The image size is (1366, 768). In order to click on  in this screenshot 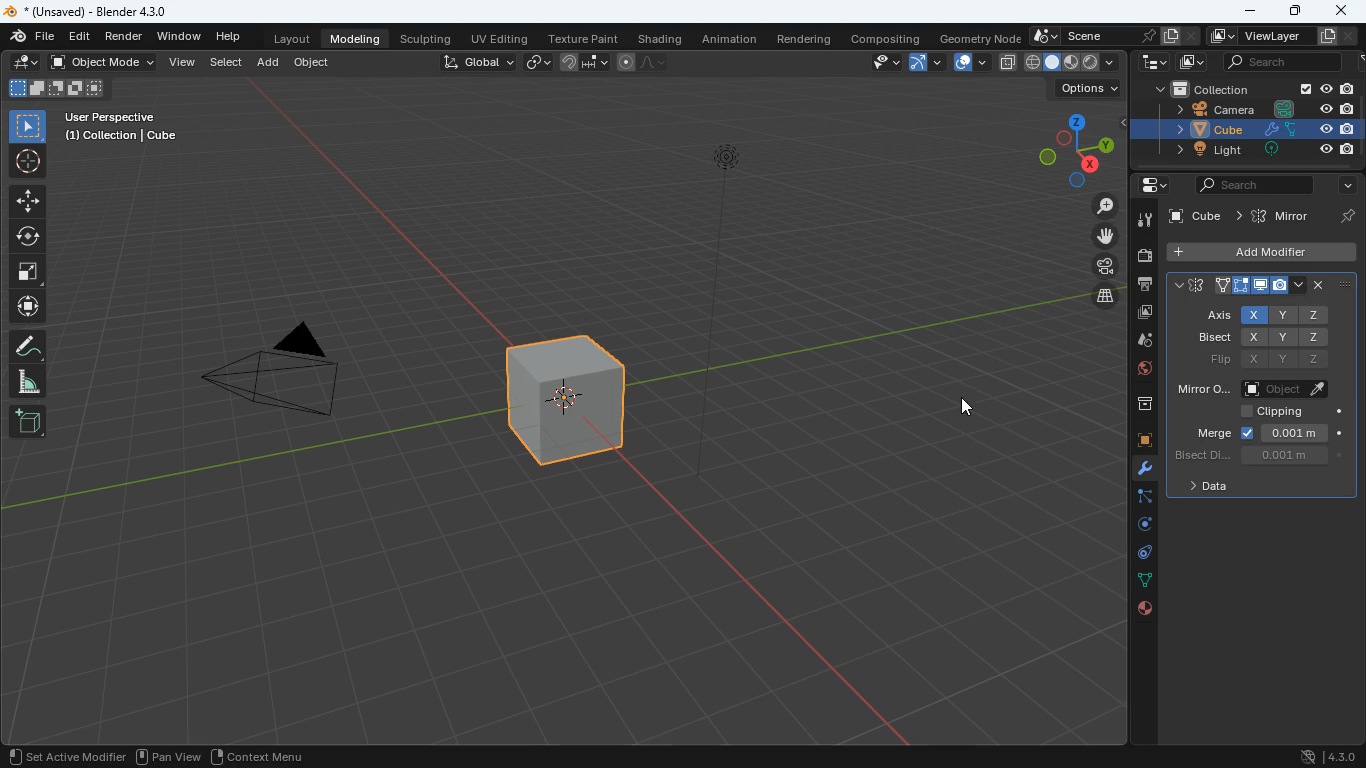, I will do `click(1347, 89)`.